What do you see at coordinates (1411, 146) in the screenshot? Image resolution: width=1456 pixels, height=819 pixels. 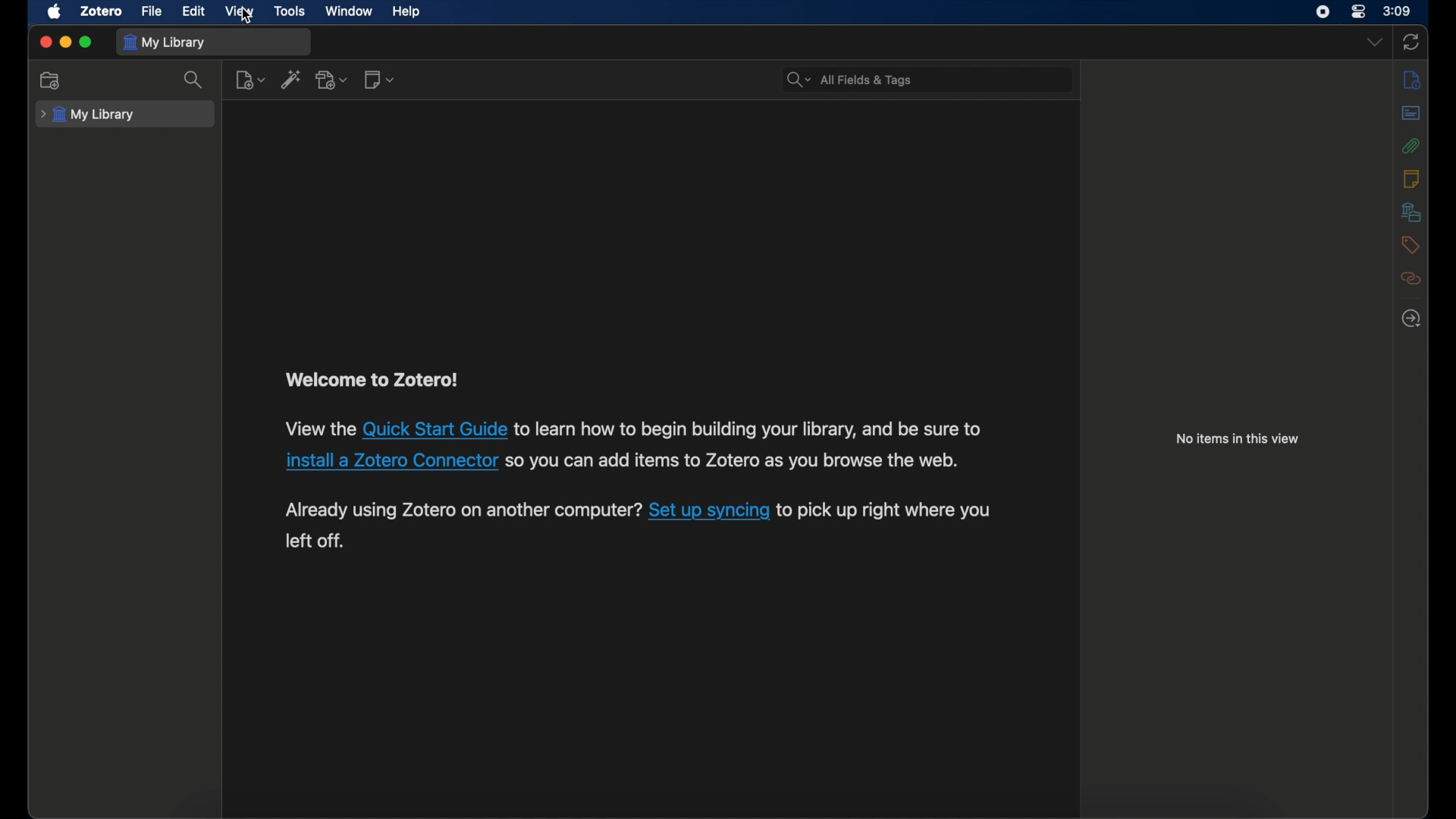 I see `attachments` at bounding box center [1411, 146].